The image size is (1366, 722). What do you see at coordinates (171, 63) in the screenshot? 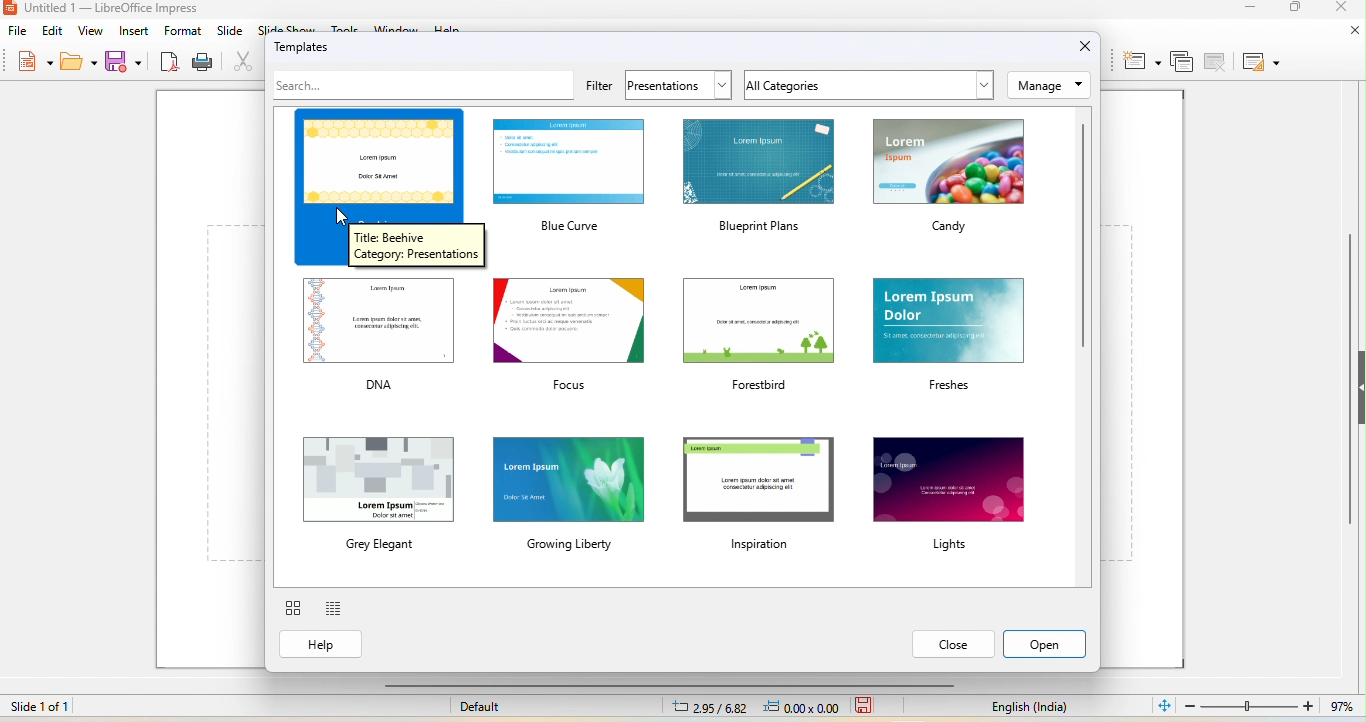
I see `export as pdf` at bounding box center [171, 63].